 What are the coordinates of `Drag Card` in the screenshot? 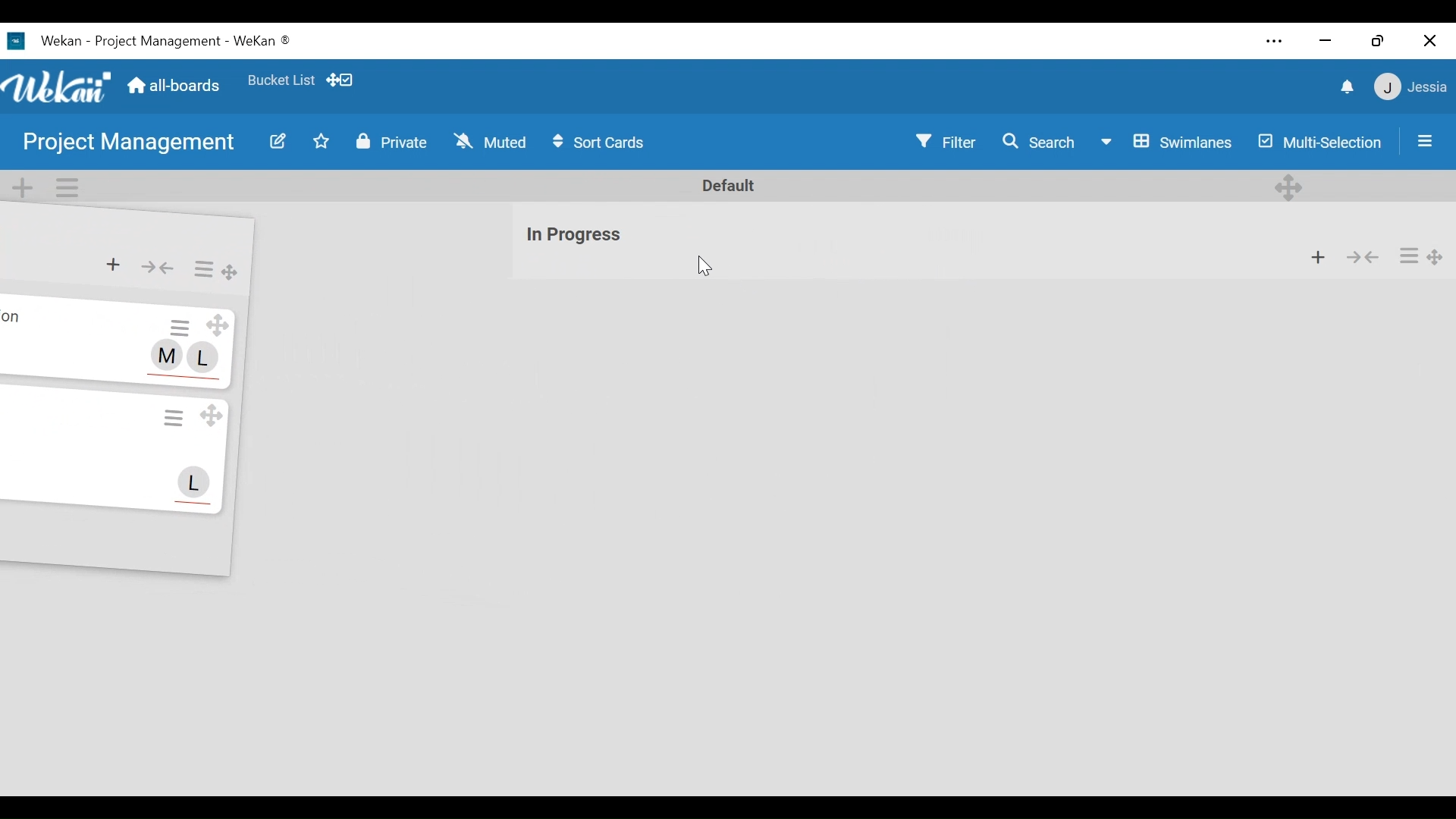 It's located at (217, 325).